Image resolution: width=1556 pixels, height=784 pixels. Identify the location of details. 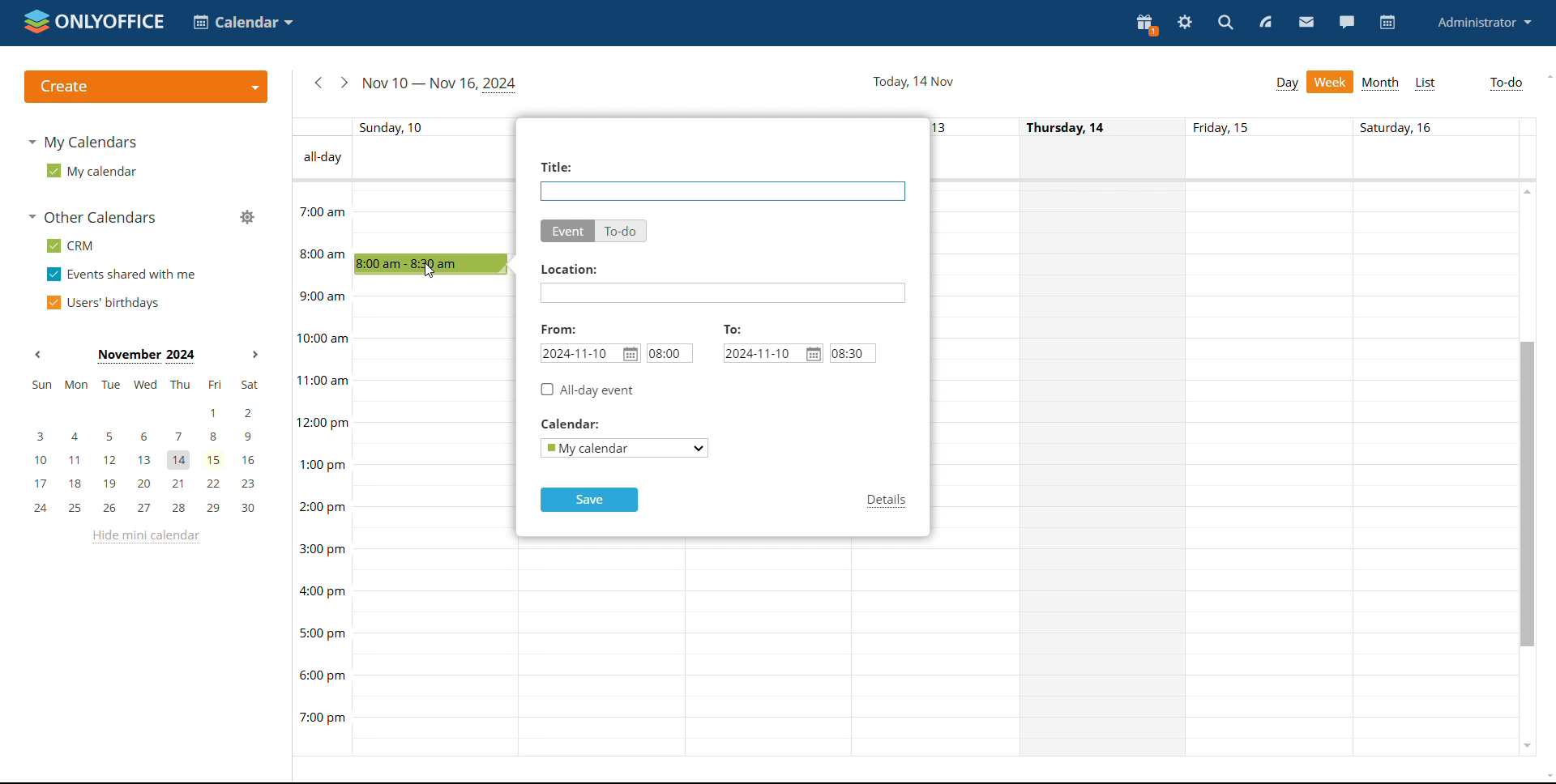
(885, 501).